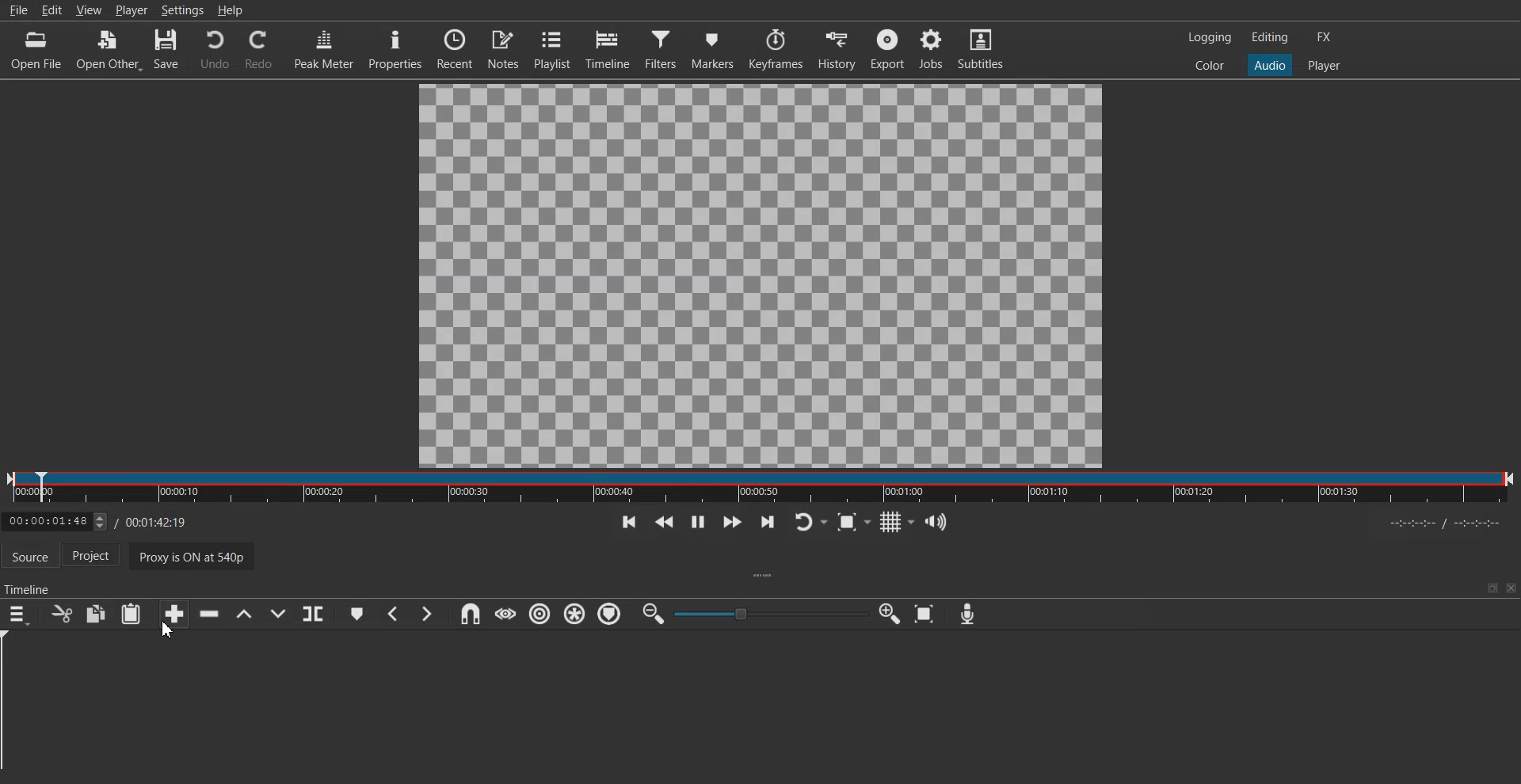 This screenshot has height=784, width=1521. I want to click on Minimize, so click(1492, 588).